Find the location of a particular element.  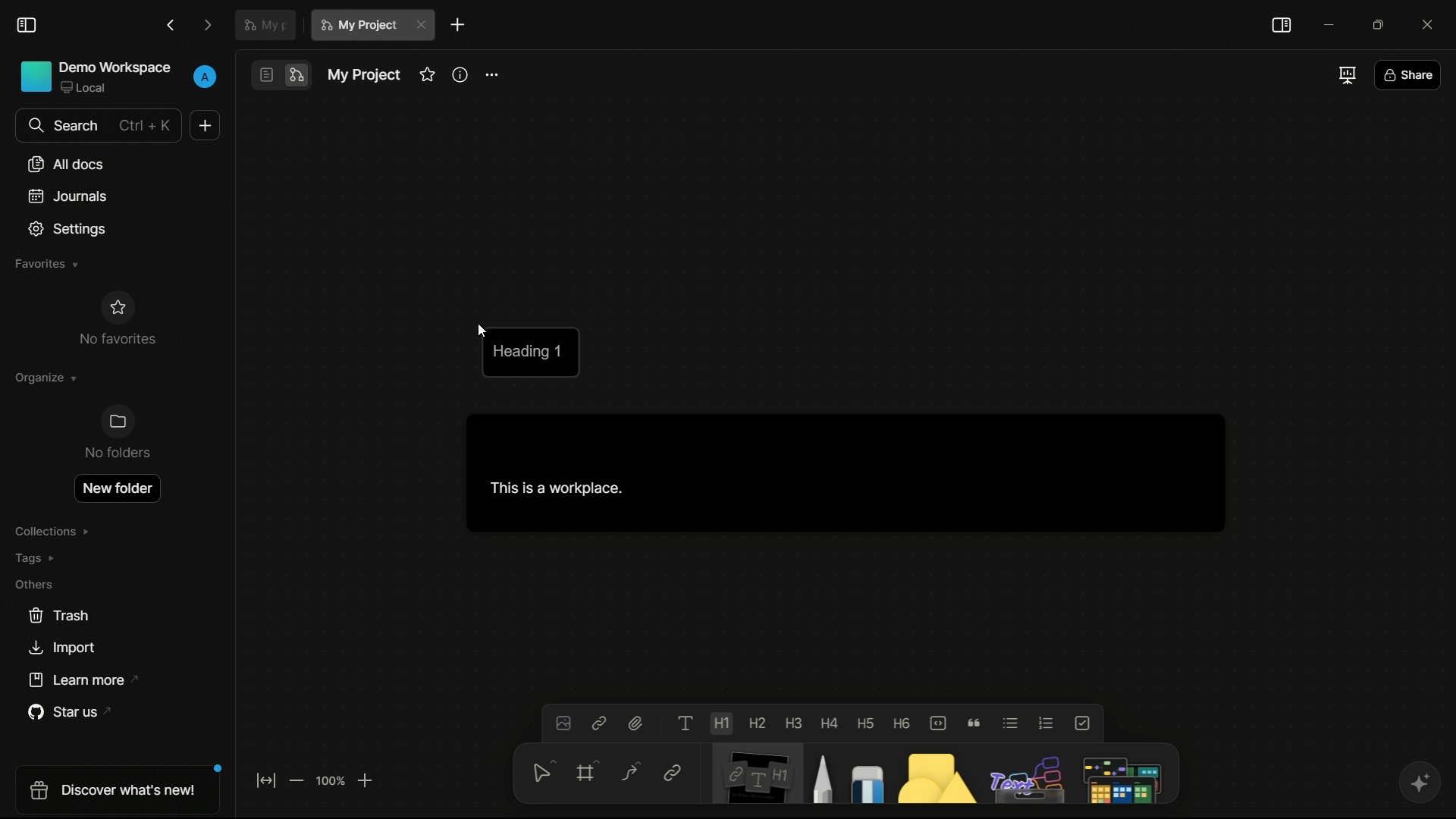

quote is located at coordinates (974, 723).